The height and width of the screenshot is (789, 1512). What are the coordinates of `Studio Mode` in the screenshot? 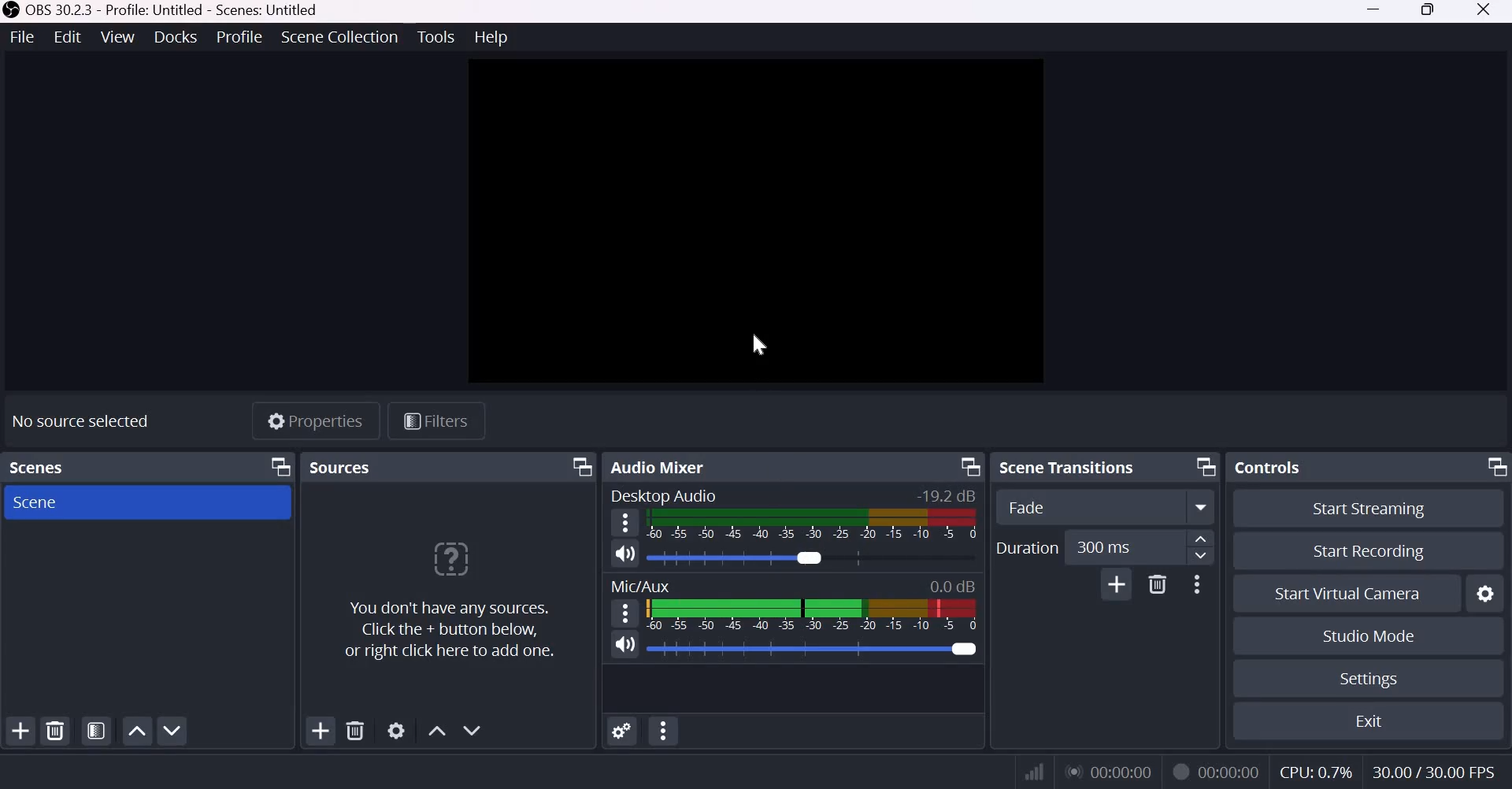 It's located at (1367, 636).